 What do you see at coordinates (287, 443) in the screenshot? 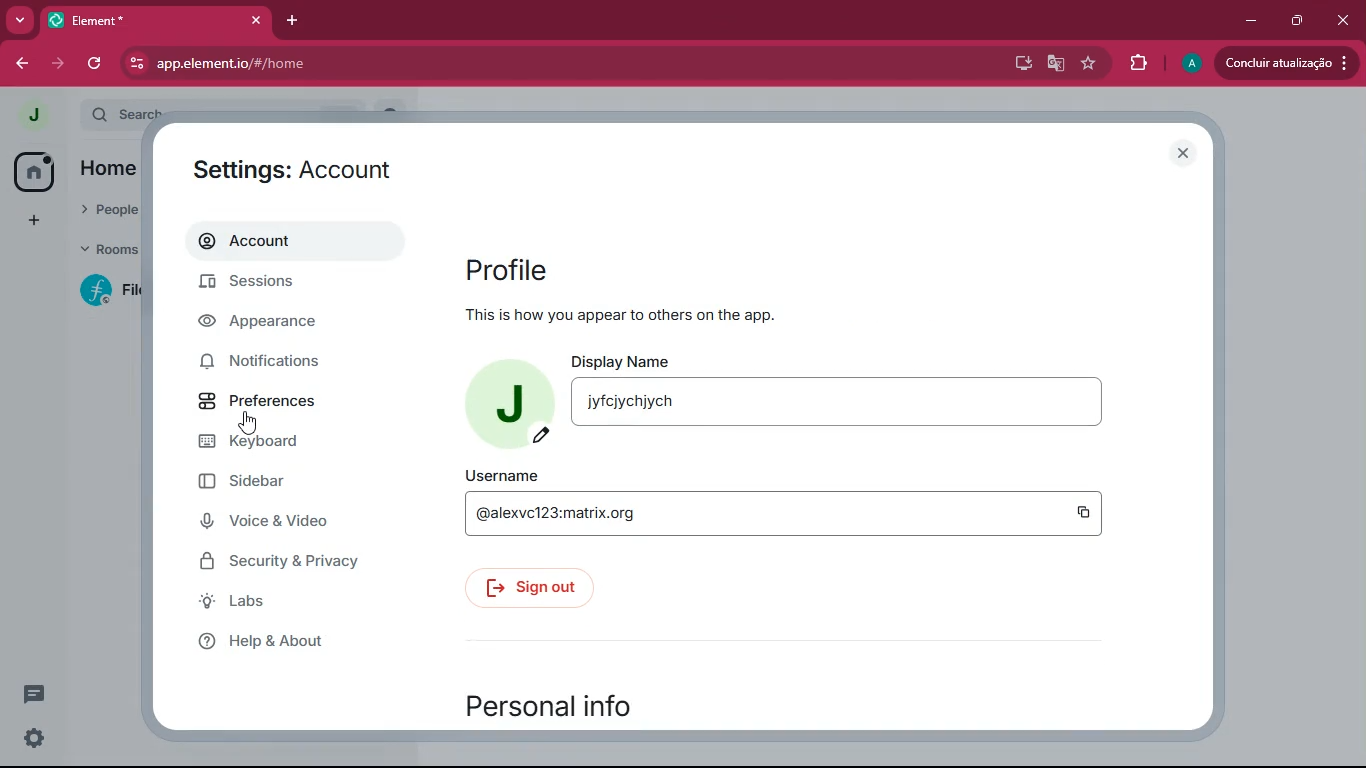
I see `keyboard` at bounding box center [287, 443].